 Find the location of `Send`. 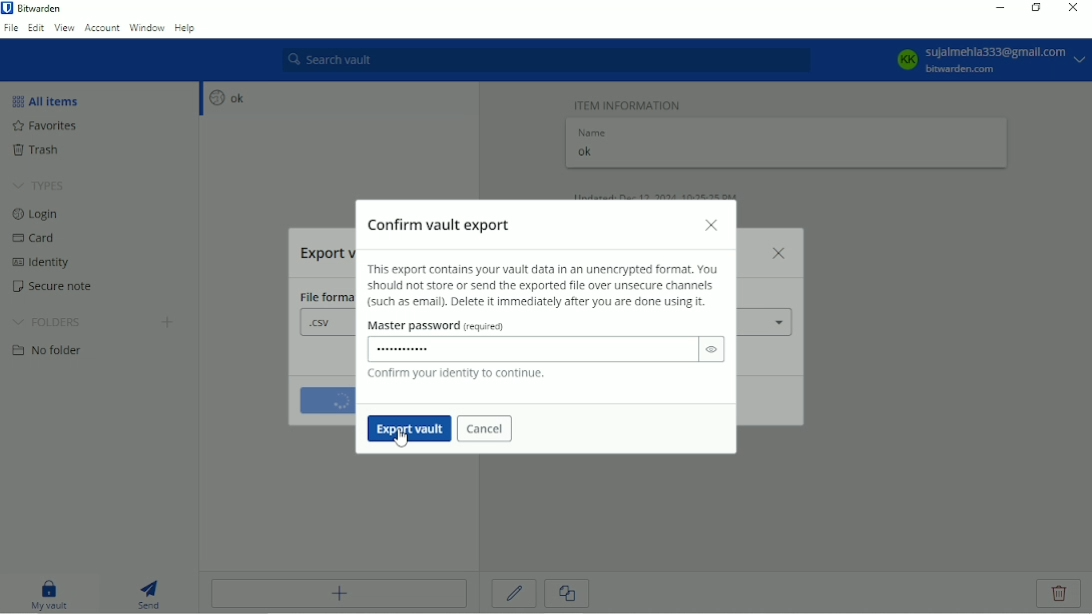

Send is located at coordinates (150, 592).